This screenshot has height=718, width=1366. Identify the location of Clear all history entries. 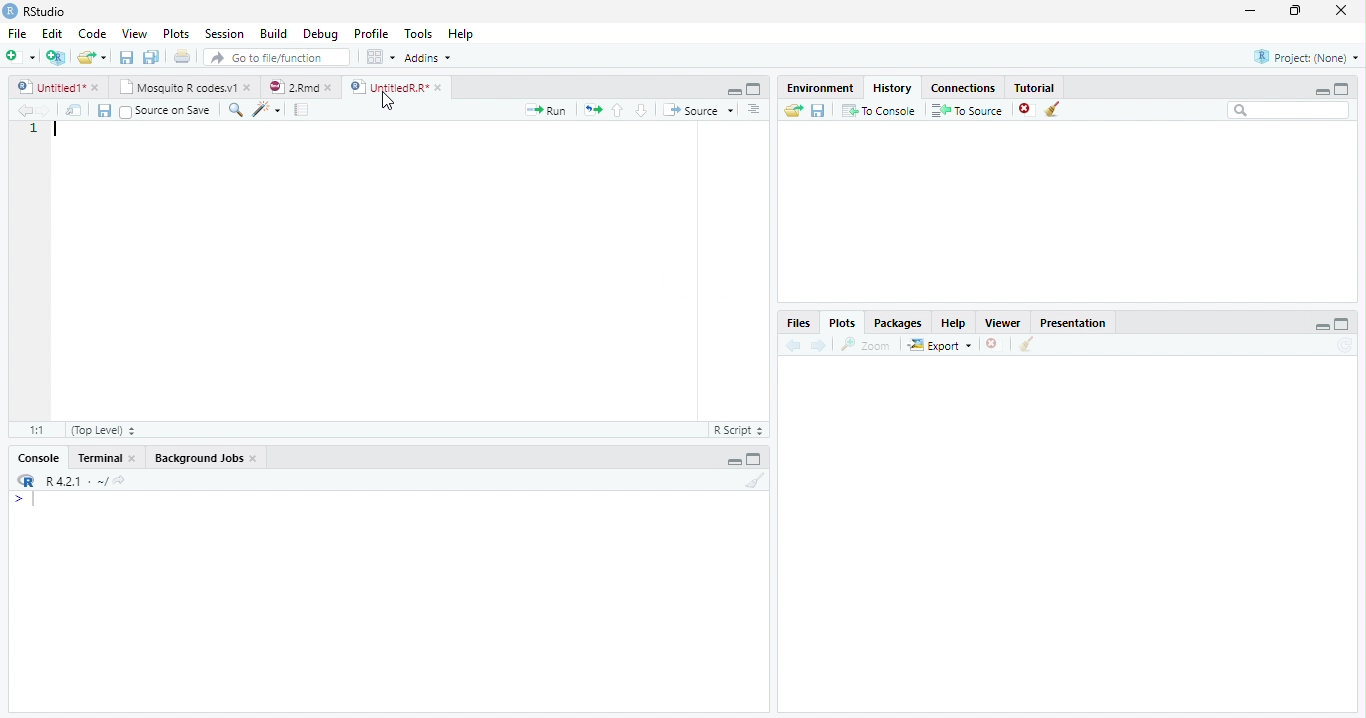
(1055, 109).